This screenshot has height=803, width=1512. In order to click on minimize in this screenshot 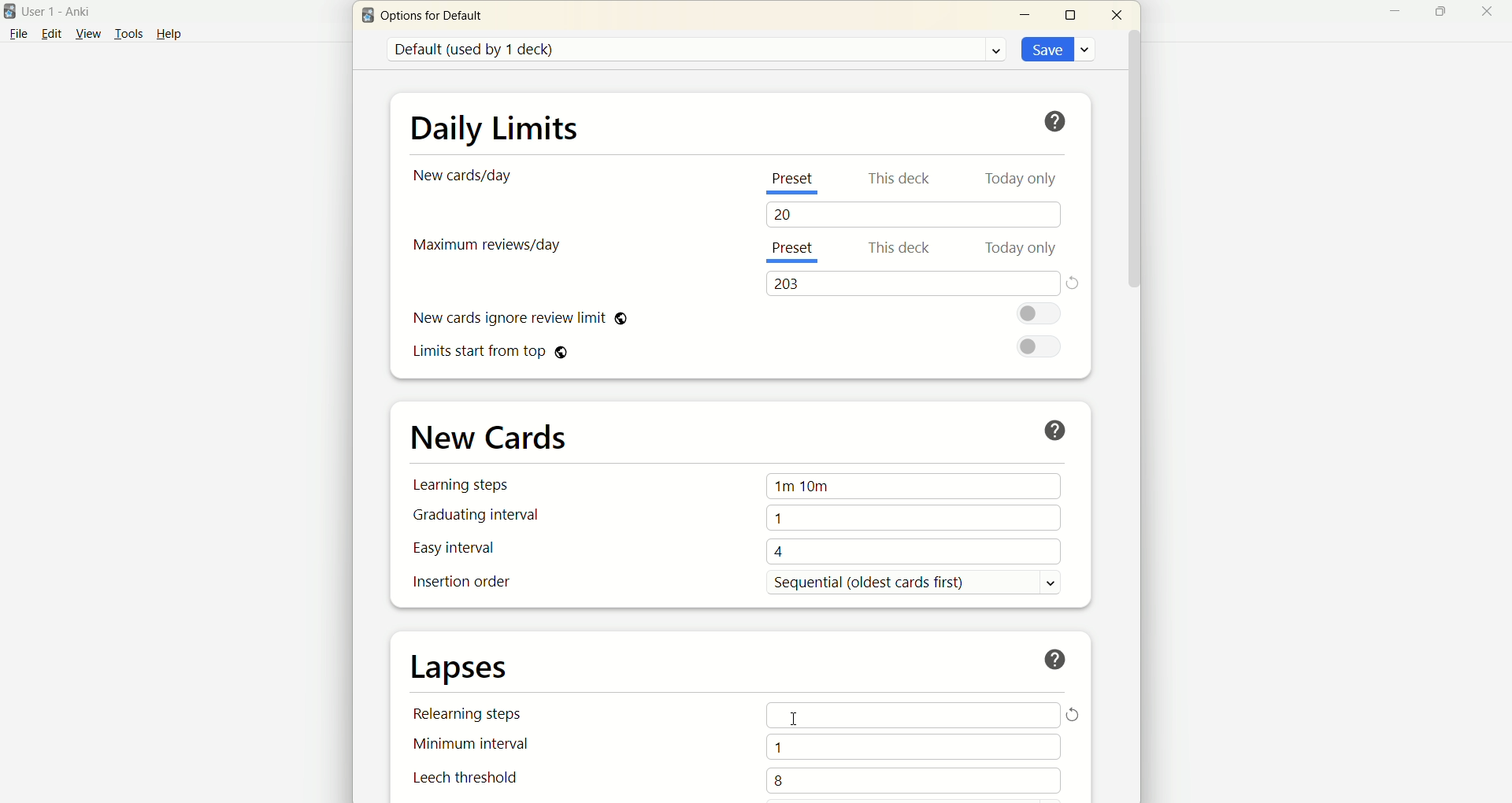, I will do `click(1028, 15)`.